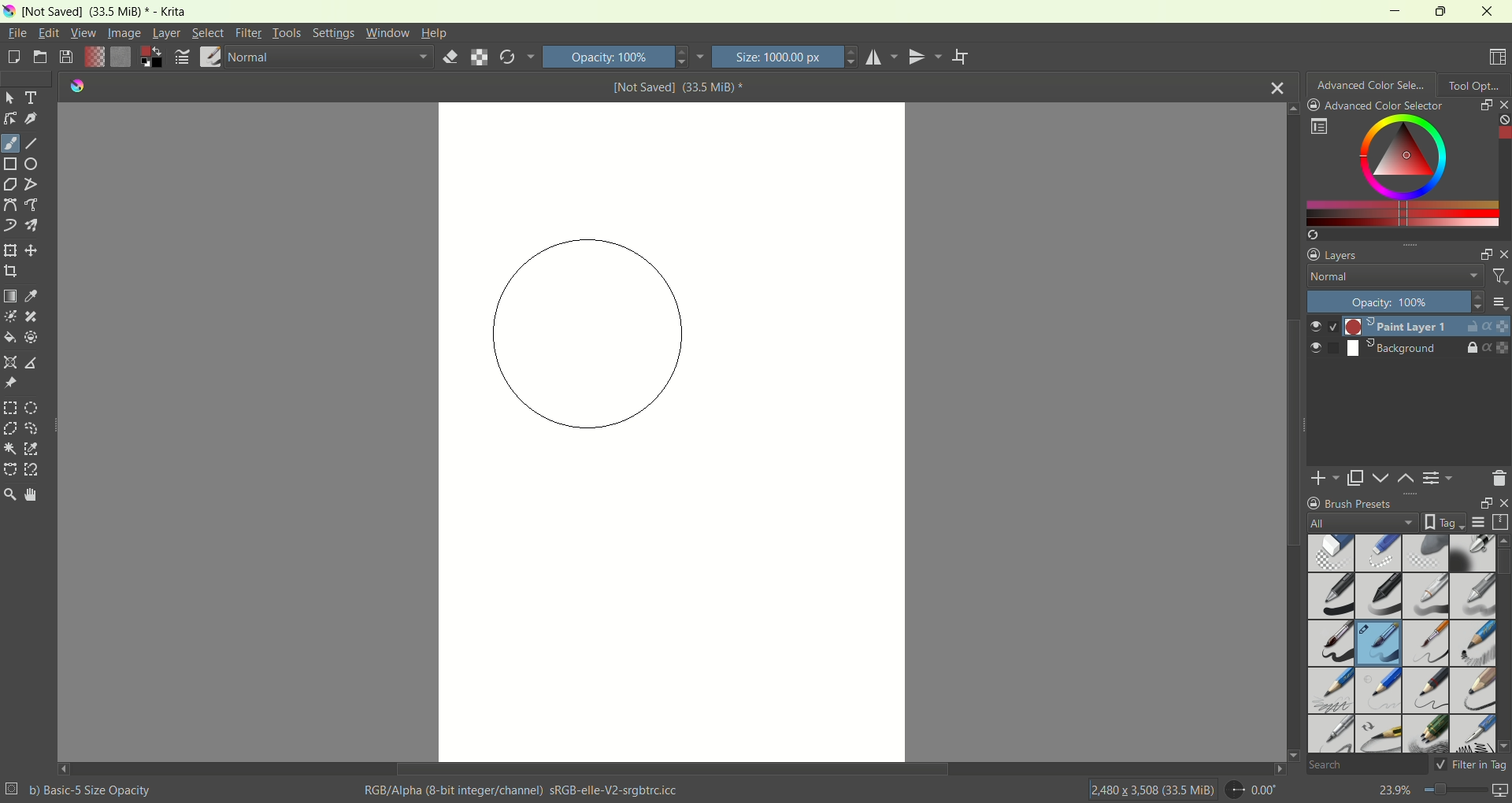 The image size is (1512, 803). Describe the element at coordinates (9, 448) in the screenshot. I see `contagious selection tool` at that location.